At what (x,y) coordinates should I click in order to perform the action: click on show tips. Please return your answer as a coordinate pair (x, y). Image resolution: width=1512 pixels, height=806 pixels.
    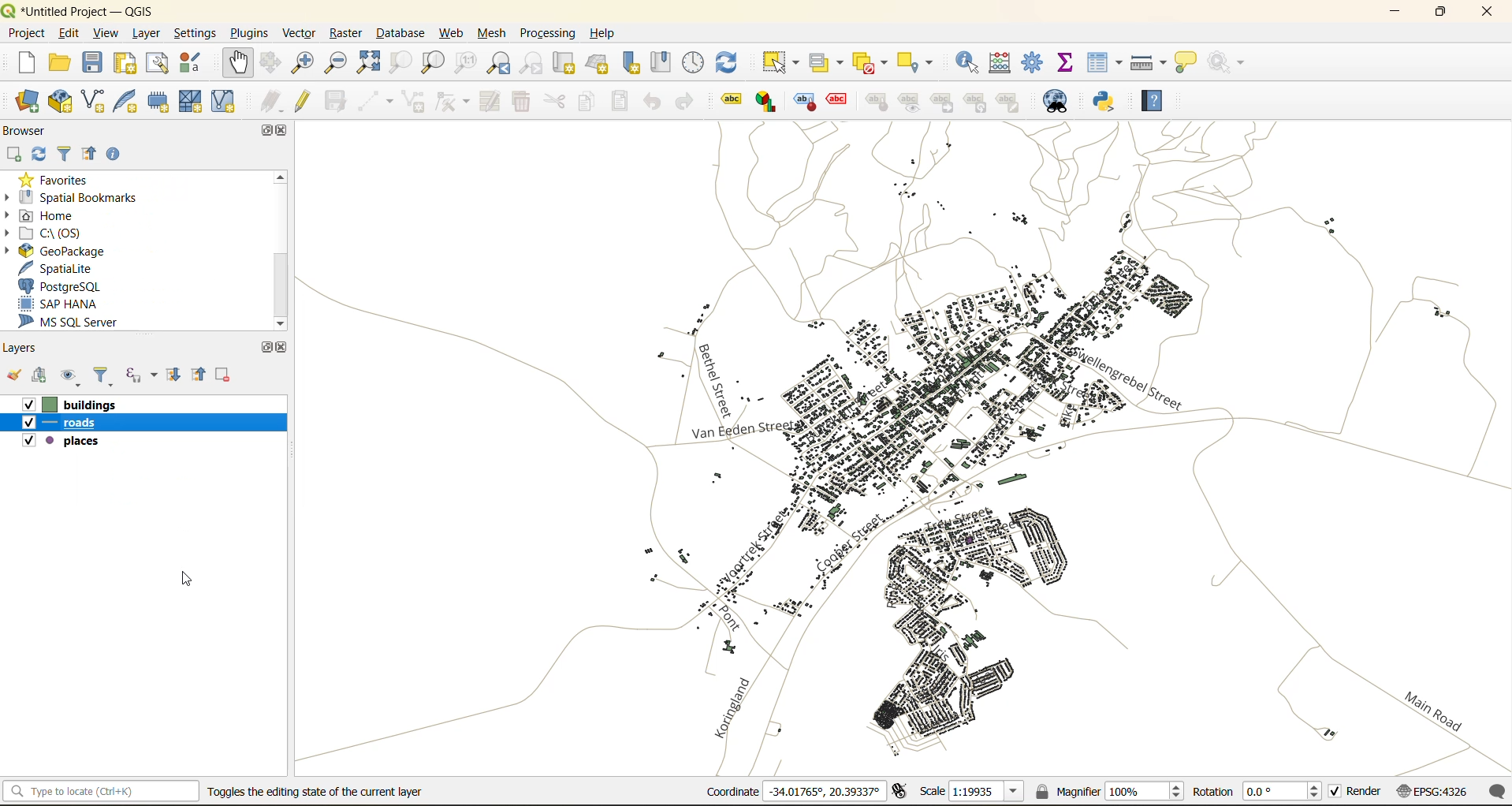
    Looking at the image, I should click on (1187, 62).